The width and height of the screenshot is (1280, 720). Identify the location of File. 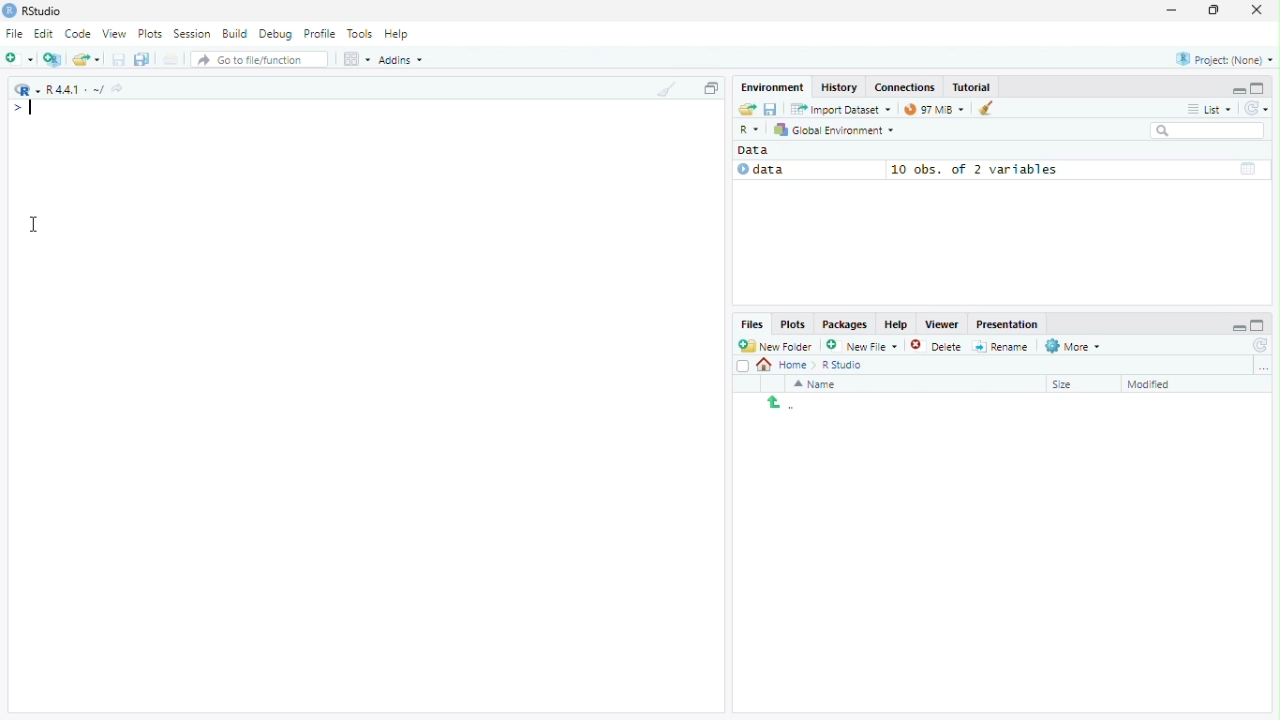
(14, 33).